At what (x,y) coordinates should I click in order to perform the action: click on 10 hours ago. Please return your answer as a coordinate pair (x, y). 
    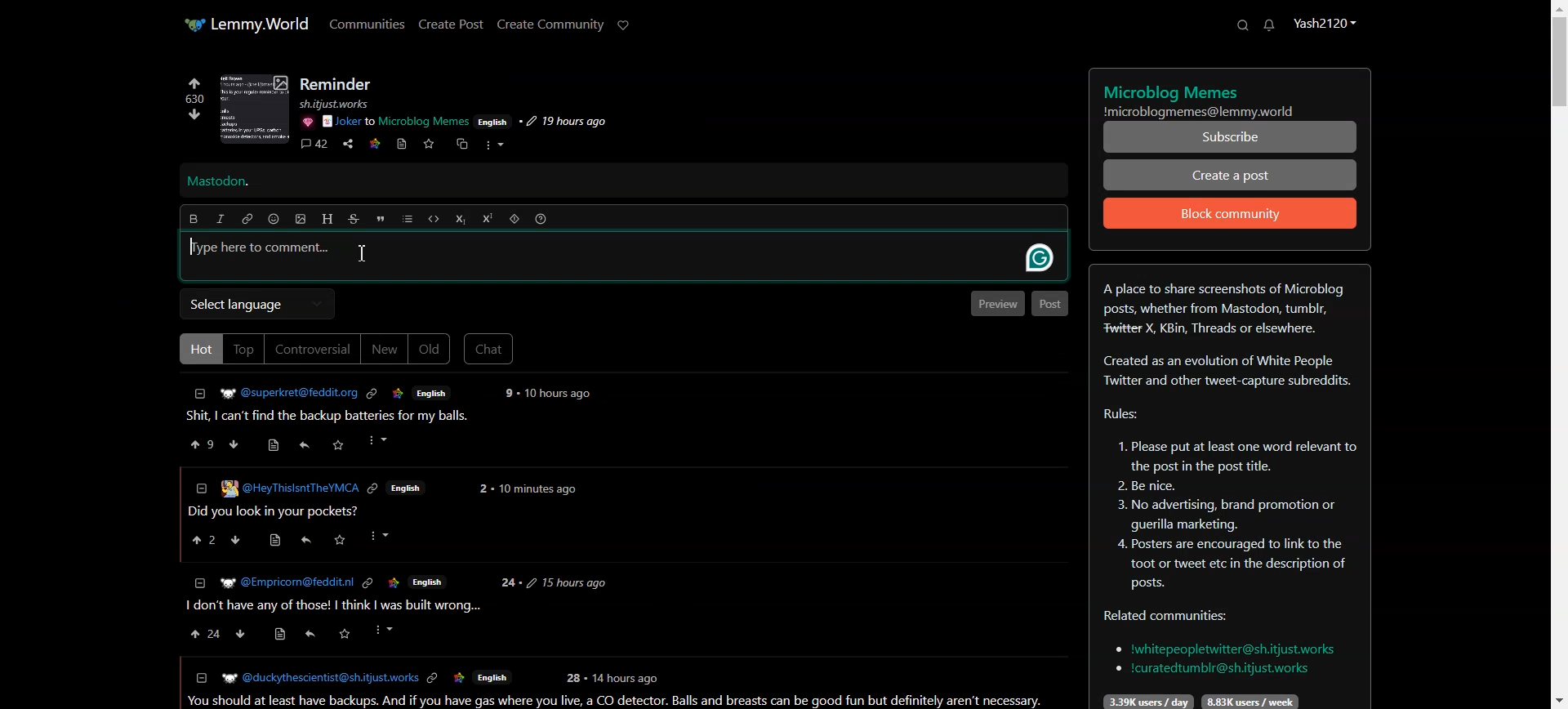
    Looking at the image, I should click on (559, 394).